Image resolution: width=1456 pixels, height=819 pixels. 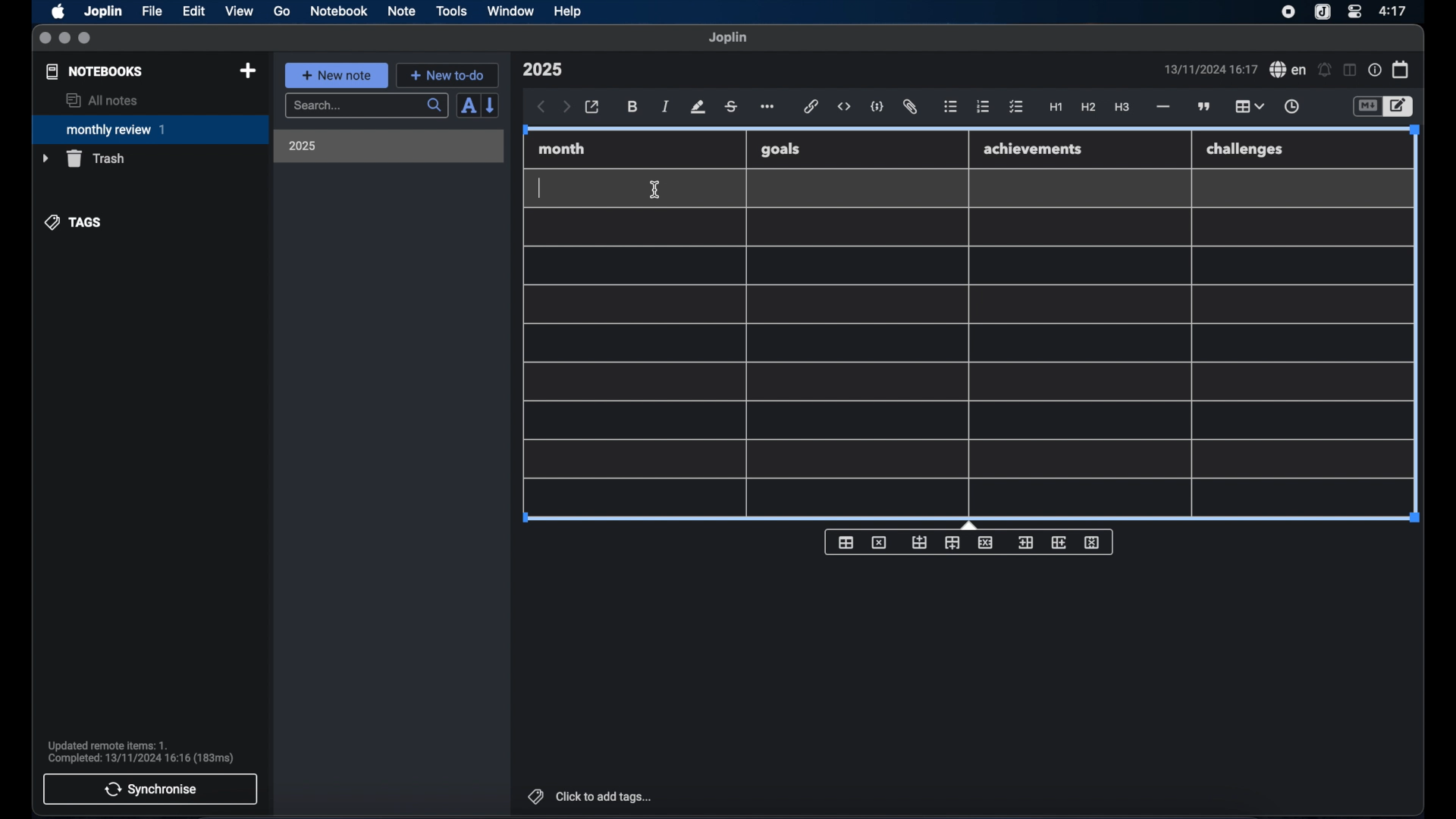 What do you see at coordinates (656, 190) in the screenshot?
I see `I beam cursor` at bounding box center [656, 190].